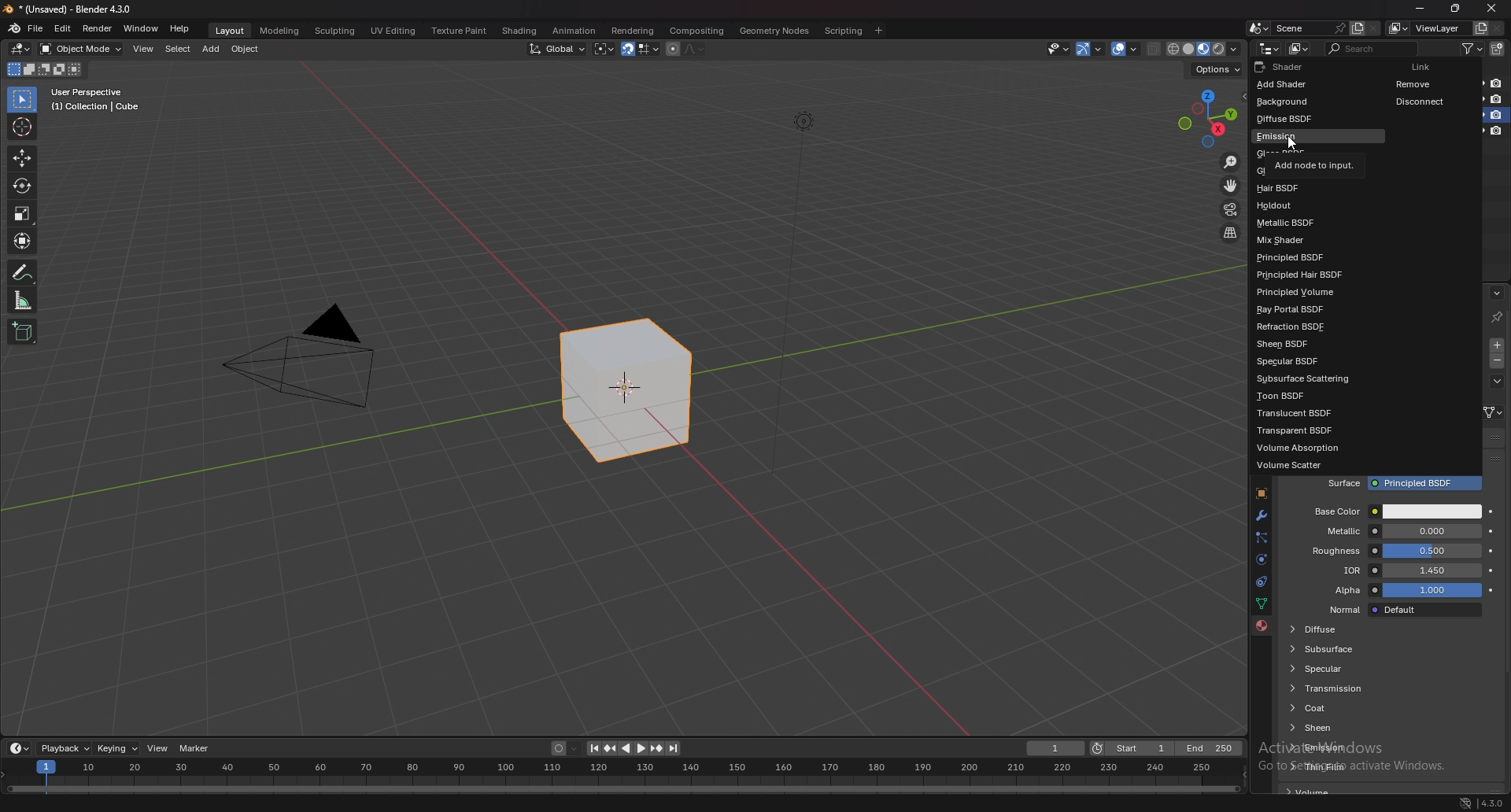 This screenshot has height=812, width=1511. I want to click on , so click(302, 362).